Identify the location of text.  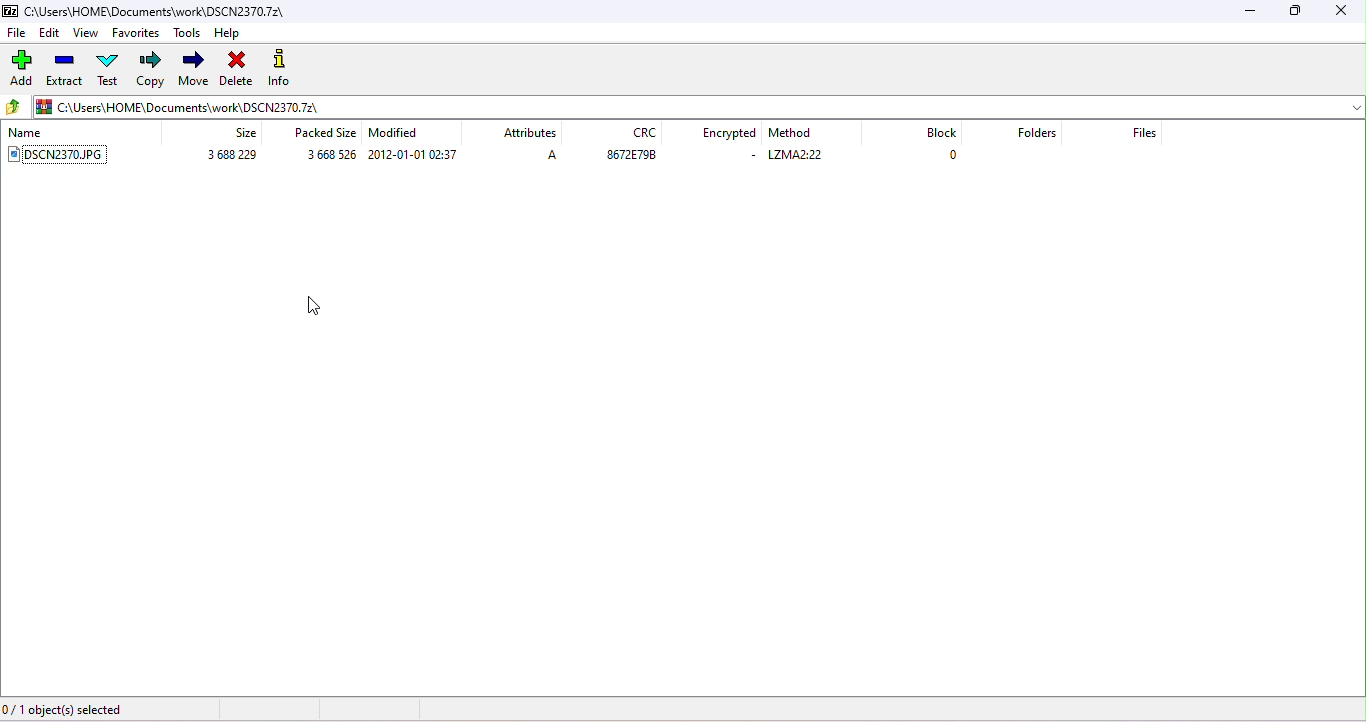
(800, 157).